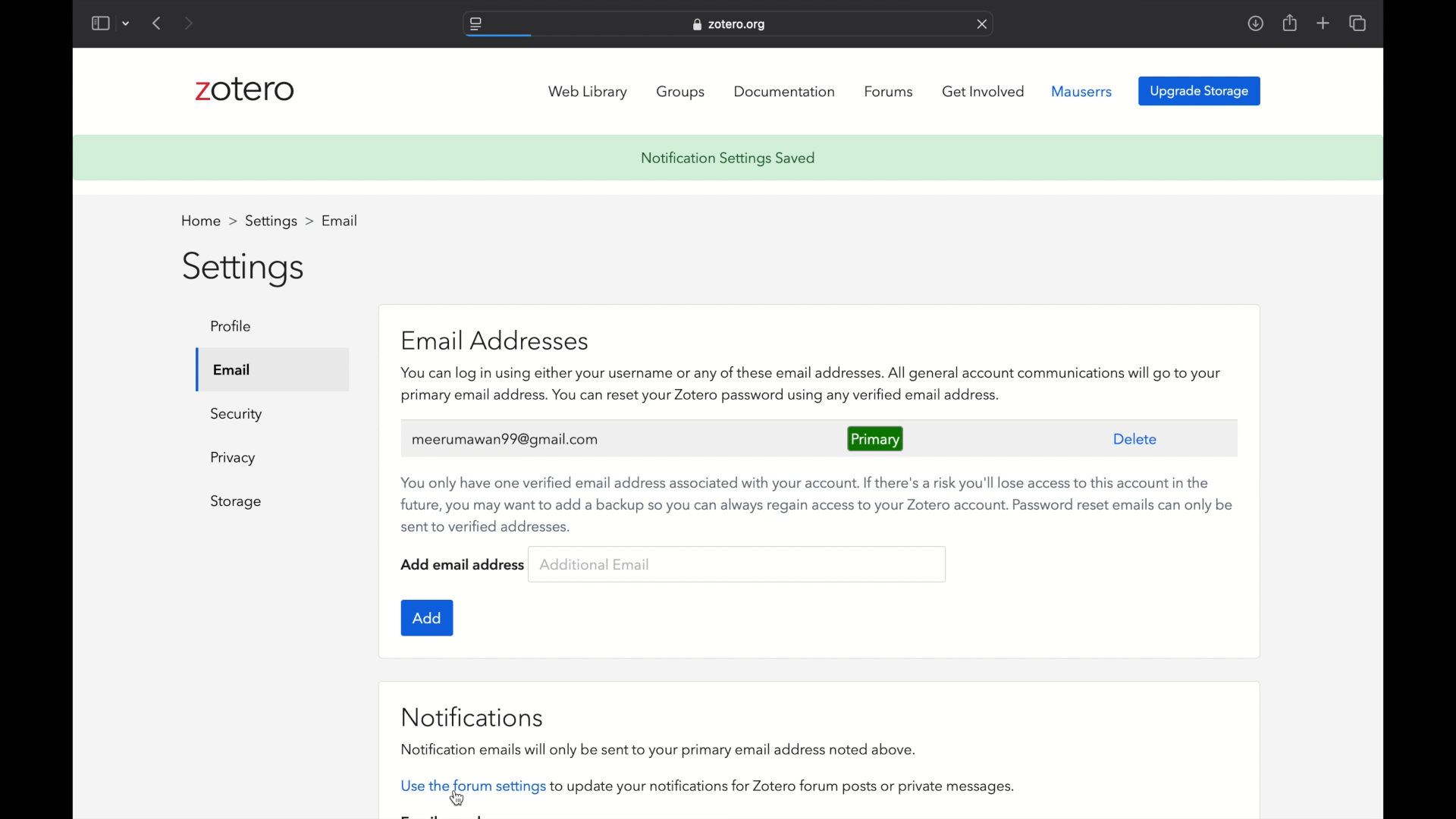 Image resolution: width=1456 pixels, height=819 pixels. What do you see at coordinates (731, 26) in the screenshot?
I see `web address` at bounding box center [731, 26].